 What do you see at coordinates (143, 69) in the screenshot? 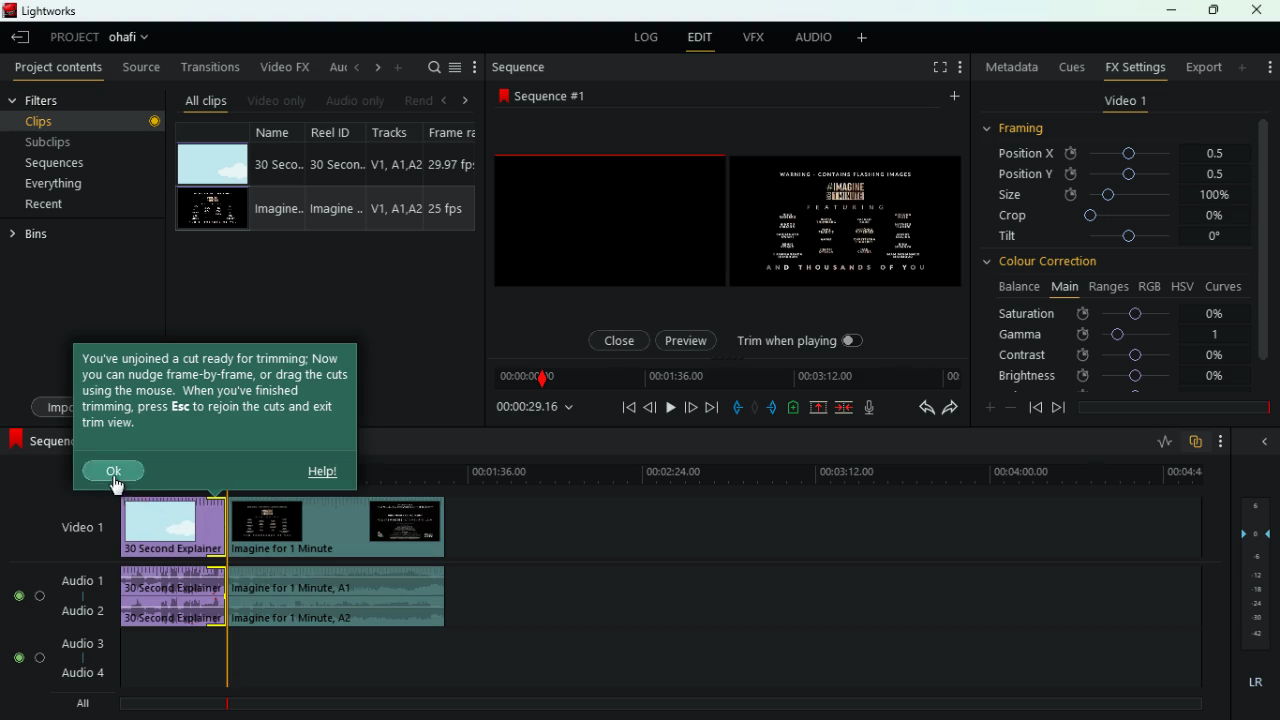
I see `source` at bounding box center [143, 69].